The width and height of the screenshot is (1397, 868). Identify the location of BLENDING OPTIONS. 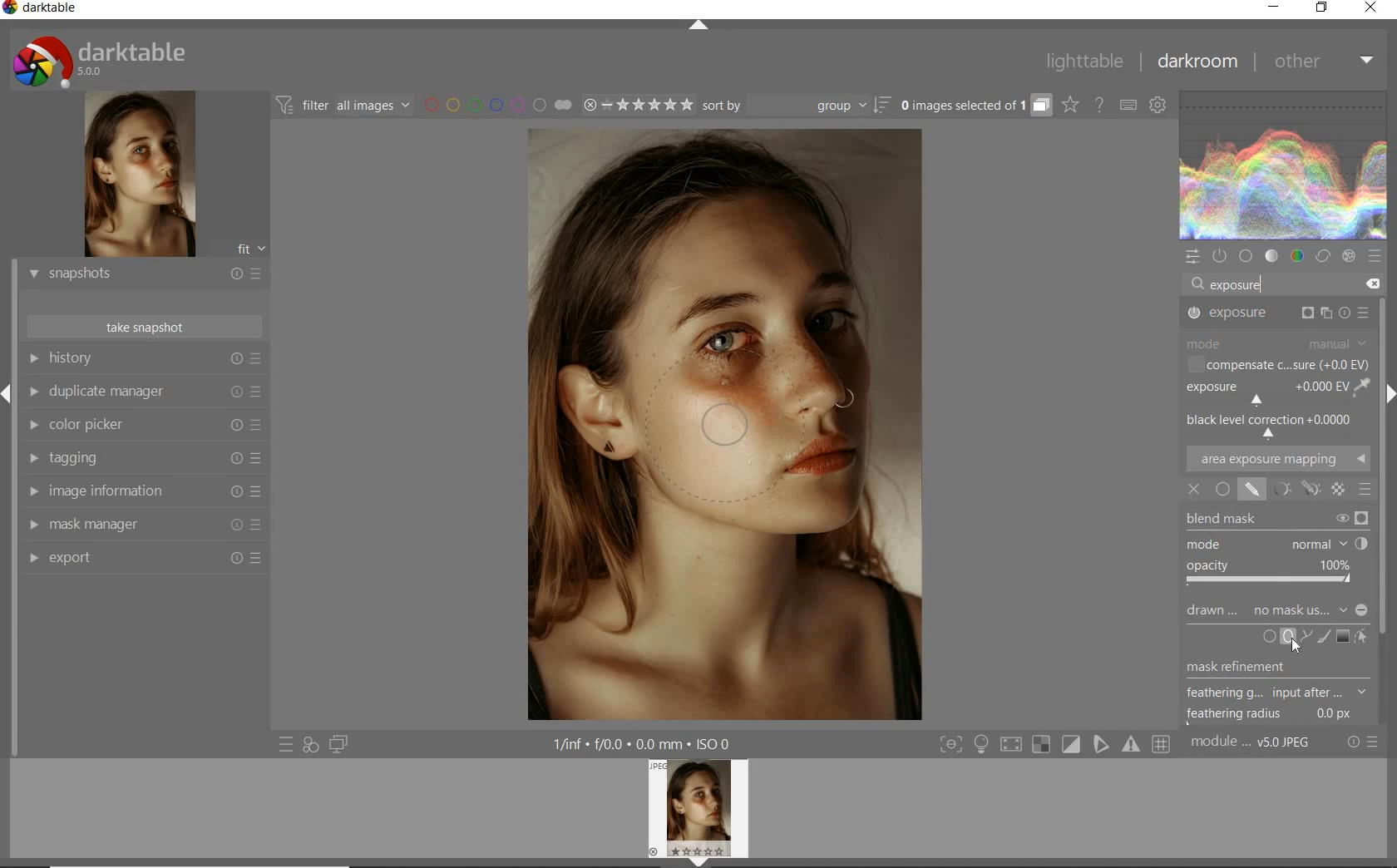
(1364, 491).